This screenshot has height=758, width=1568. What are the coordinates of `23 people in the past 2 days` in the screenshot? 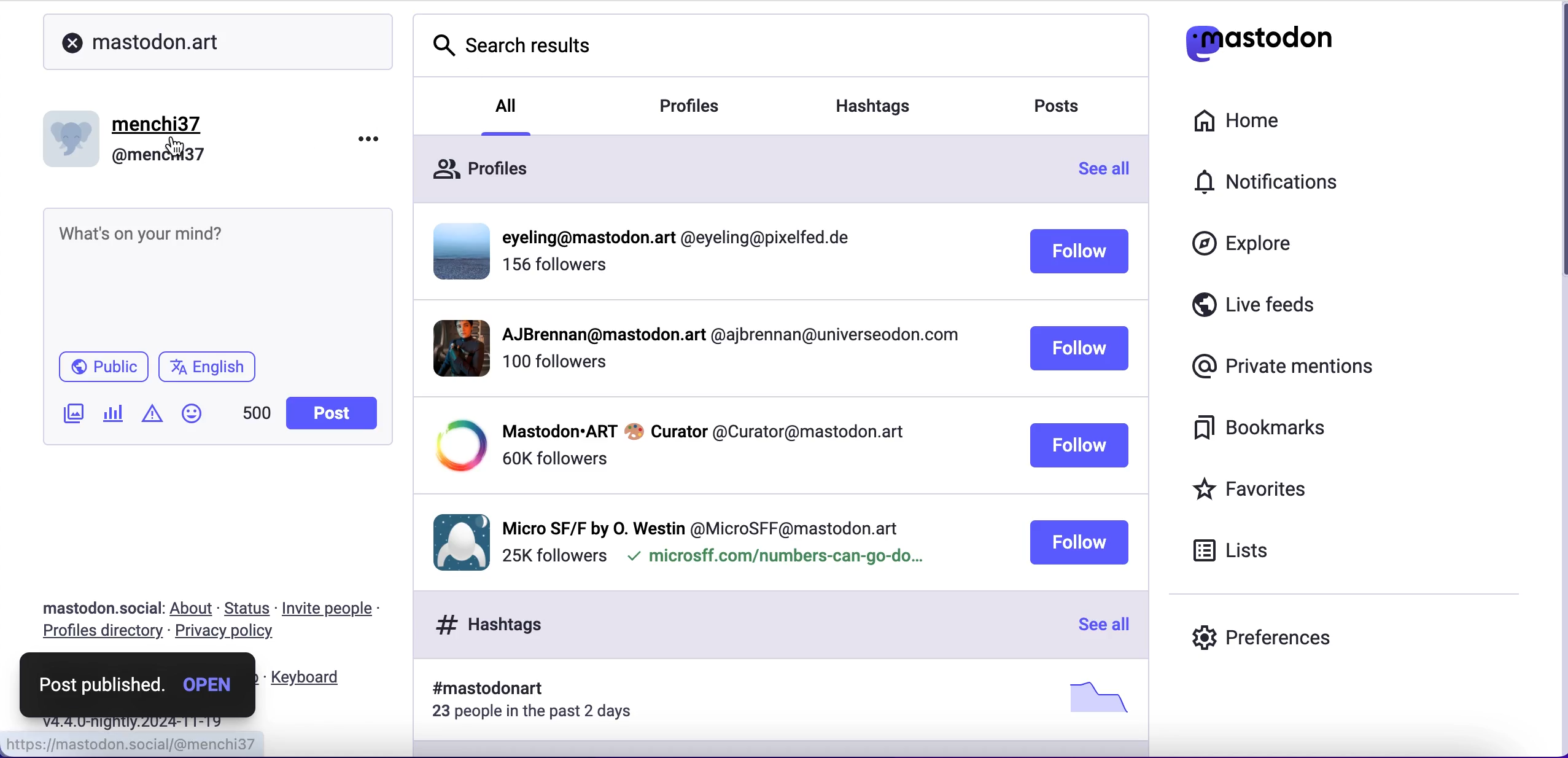 It's located at (537, 712).